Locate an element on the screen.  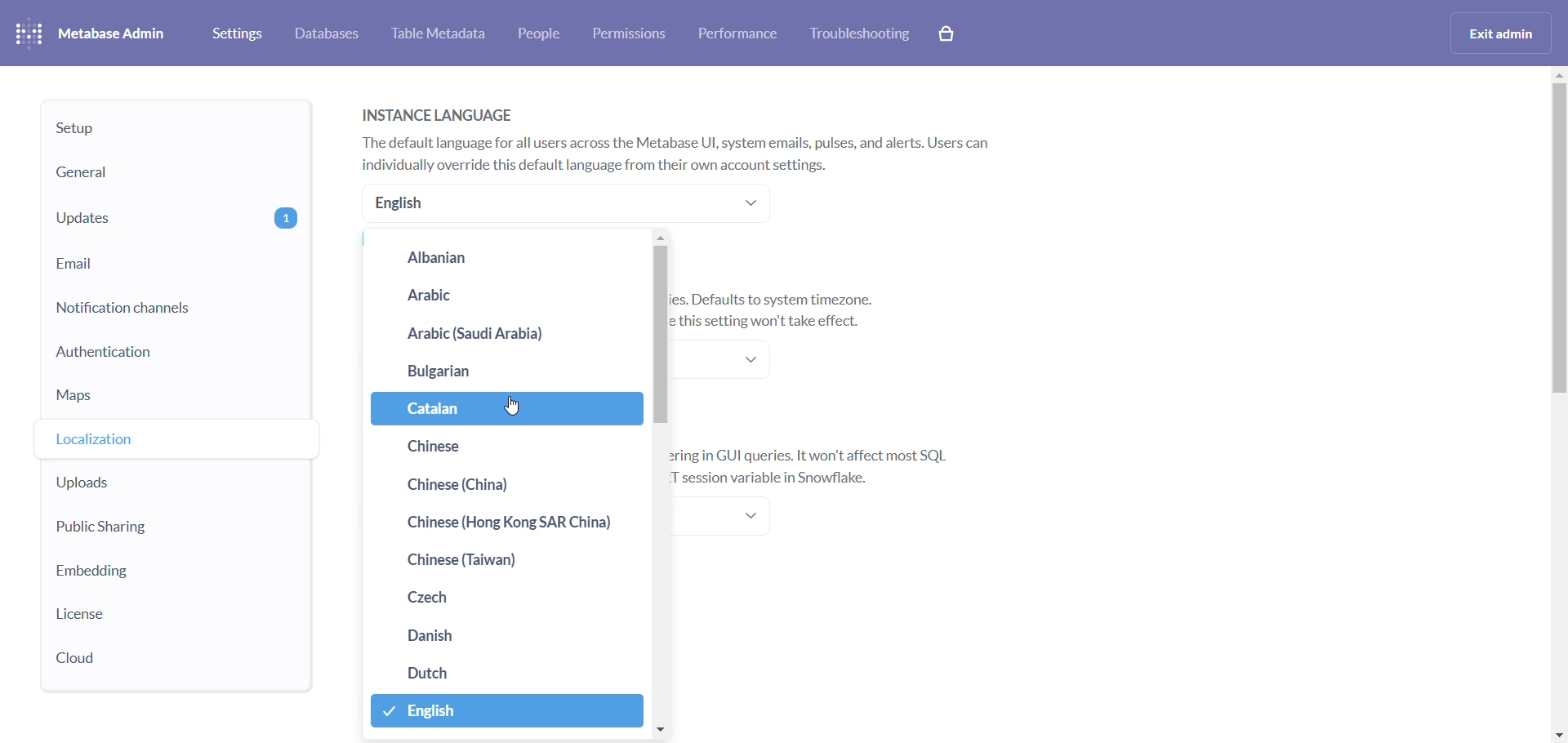
scrollbar is located at coordinates (662, 337).